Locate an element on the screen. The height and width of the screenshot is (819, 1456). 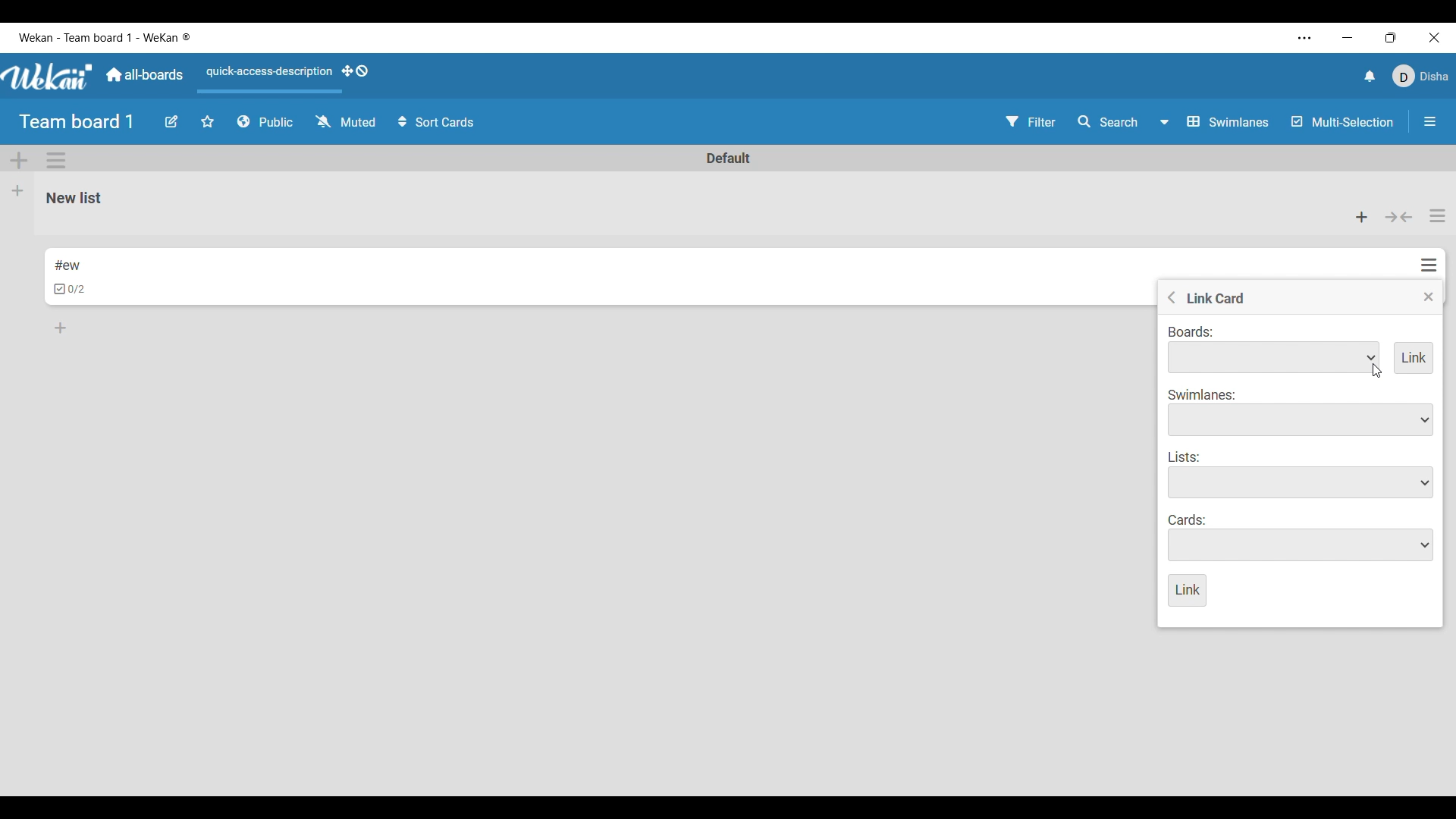
cursor is located at coordinates (1376, 373).